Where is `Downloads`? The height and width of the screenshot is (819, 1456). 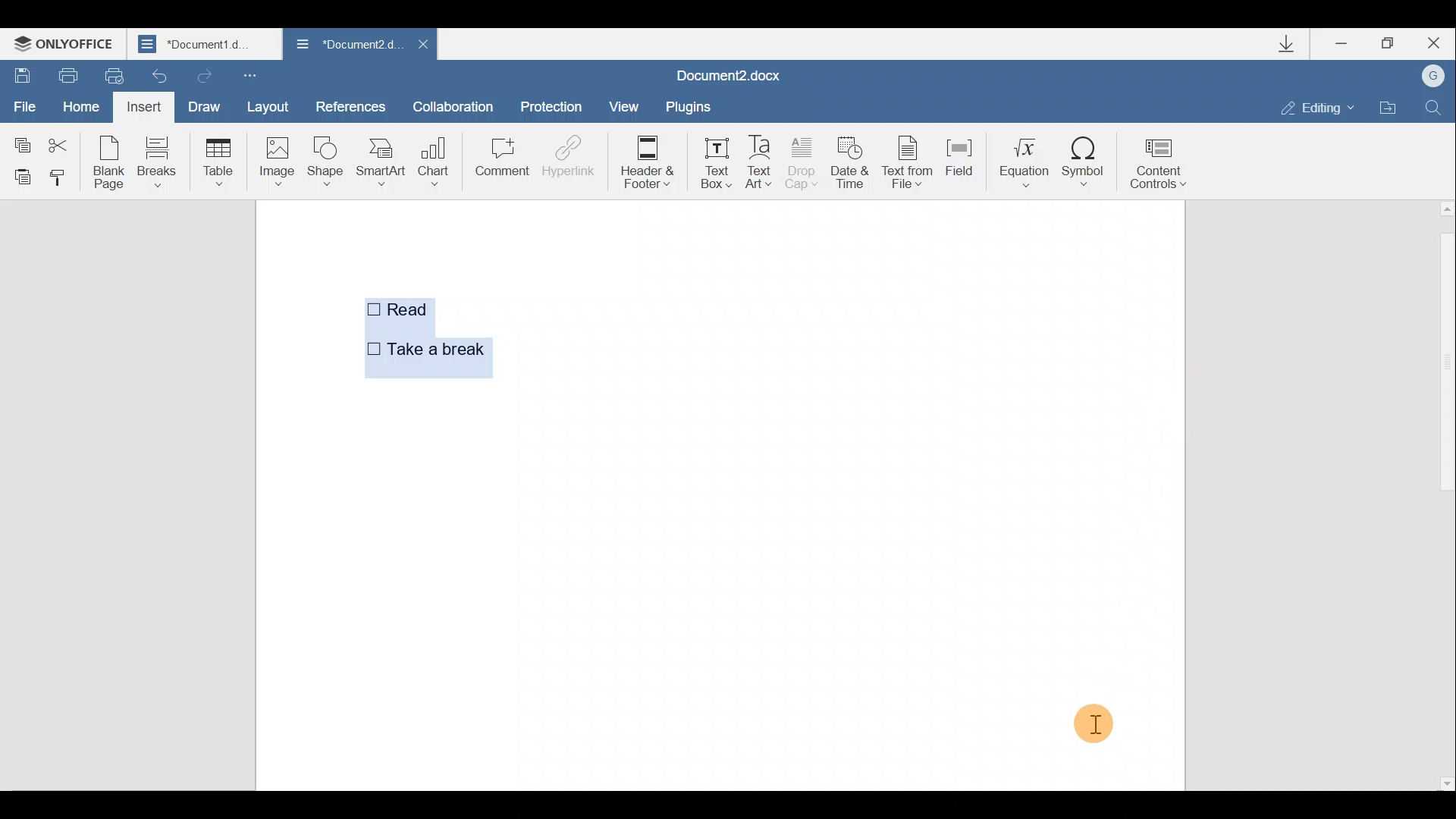 Downloads is located at coordinates (1295, 47).